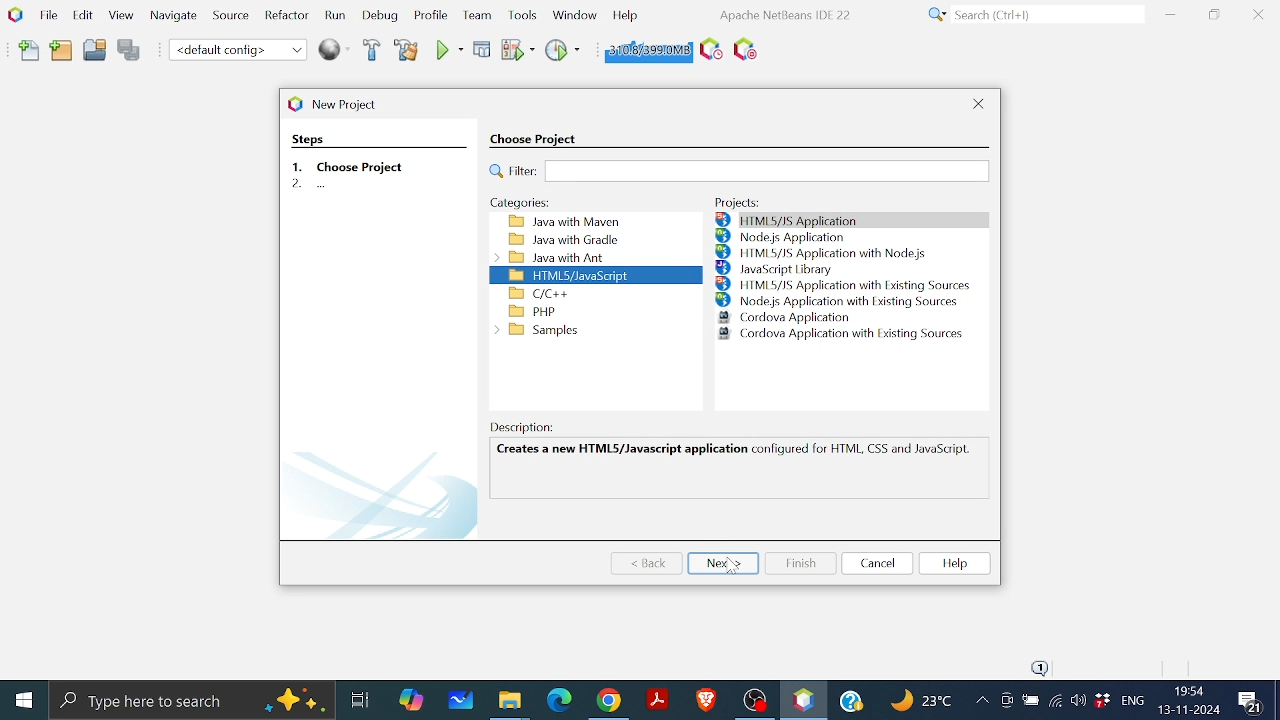 This screenshot has height=720, width=1280. Describe the element at coordinates (1053, 698) in the screenshot. I see `Internet Access` at that location.